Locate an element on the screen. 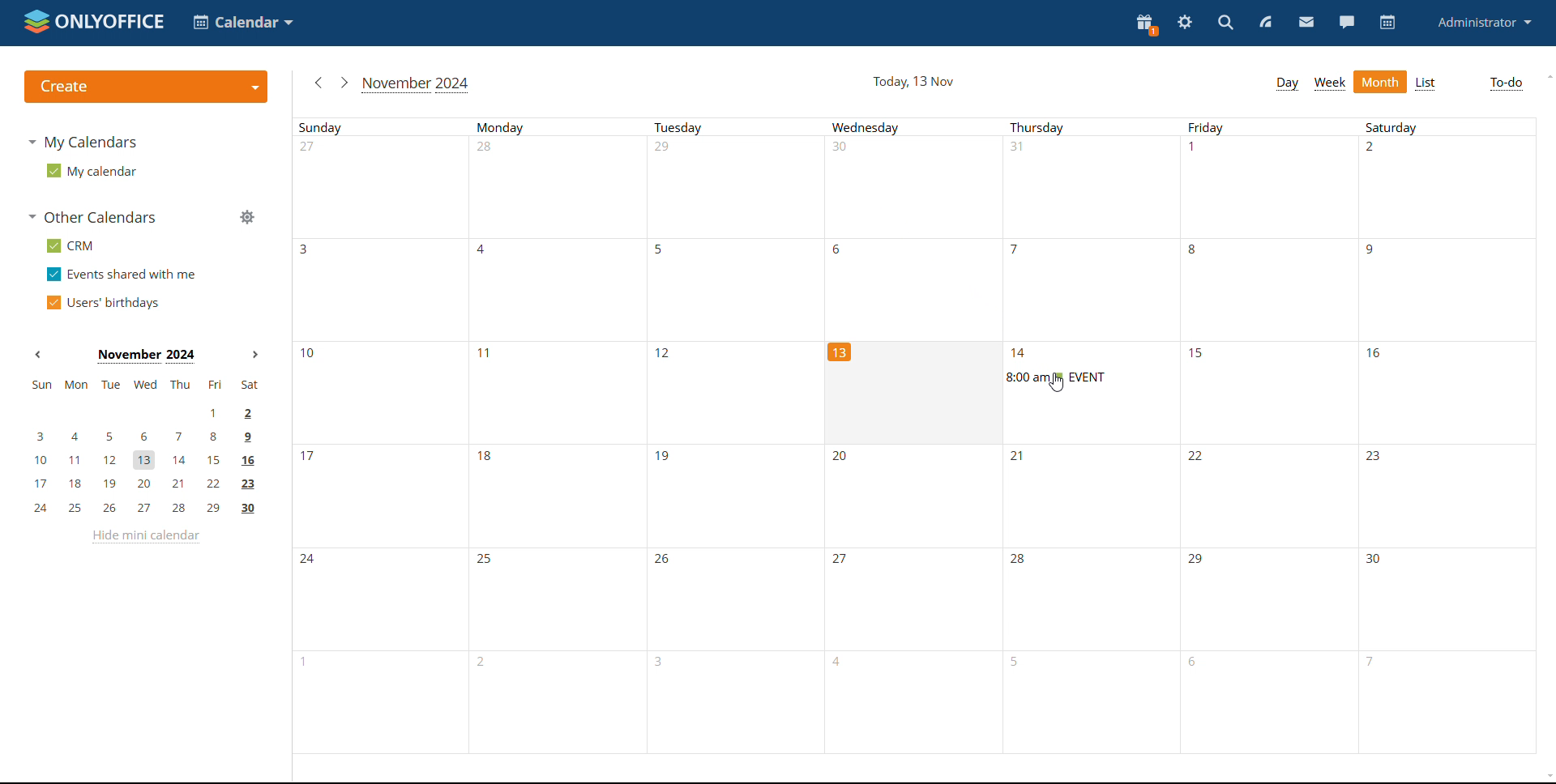 Image resolution: width=1556 pixels, height=784 pixels. cursor is located at coordinates (1058, 385).